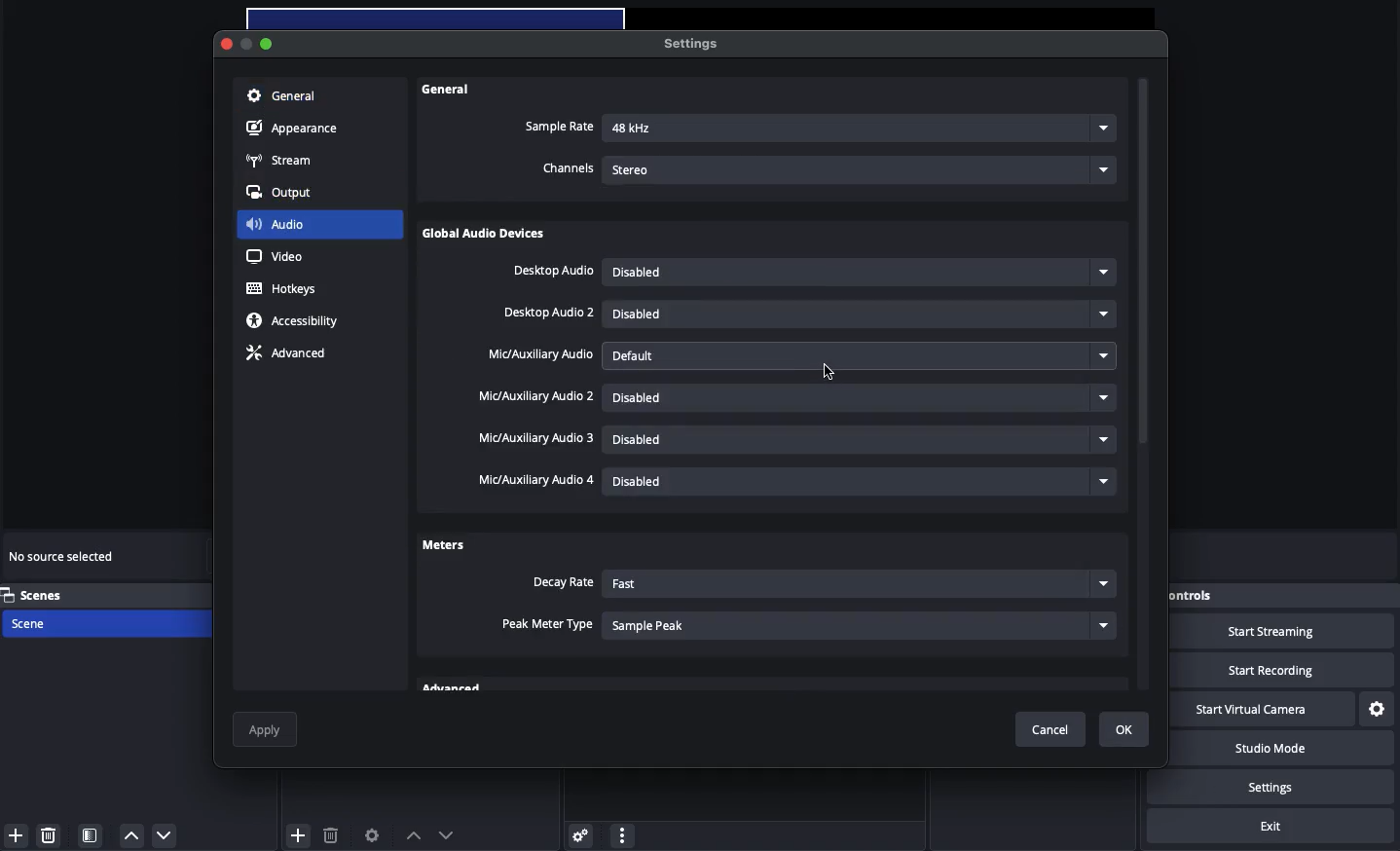 This screenshot has height=851, width=1400. What do you see at coordinates (1283, 751) in the screenshot?
I see `Studio mode` at bounding box center [1283, 751].